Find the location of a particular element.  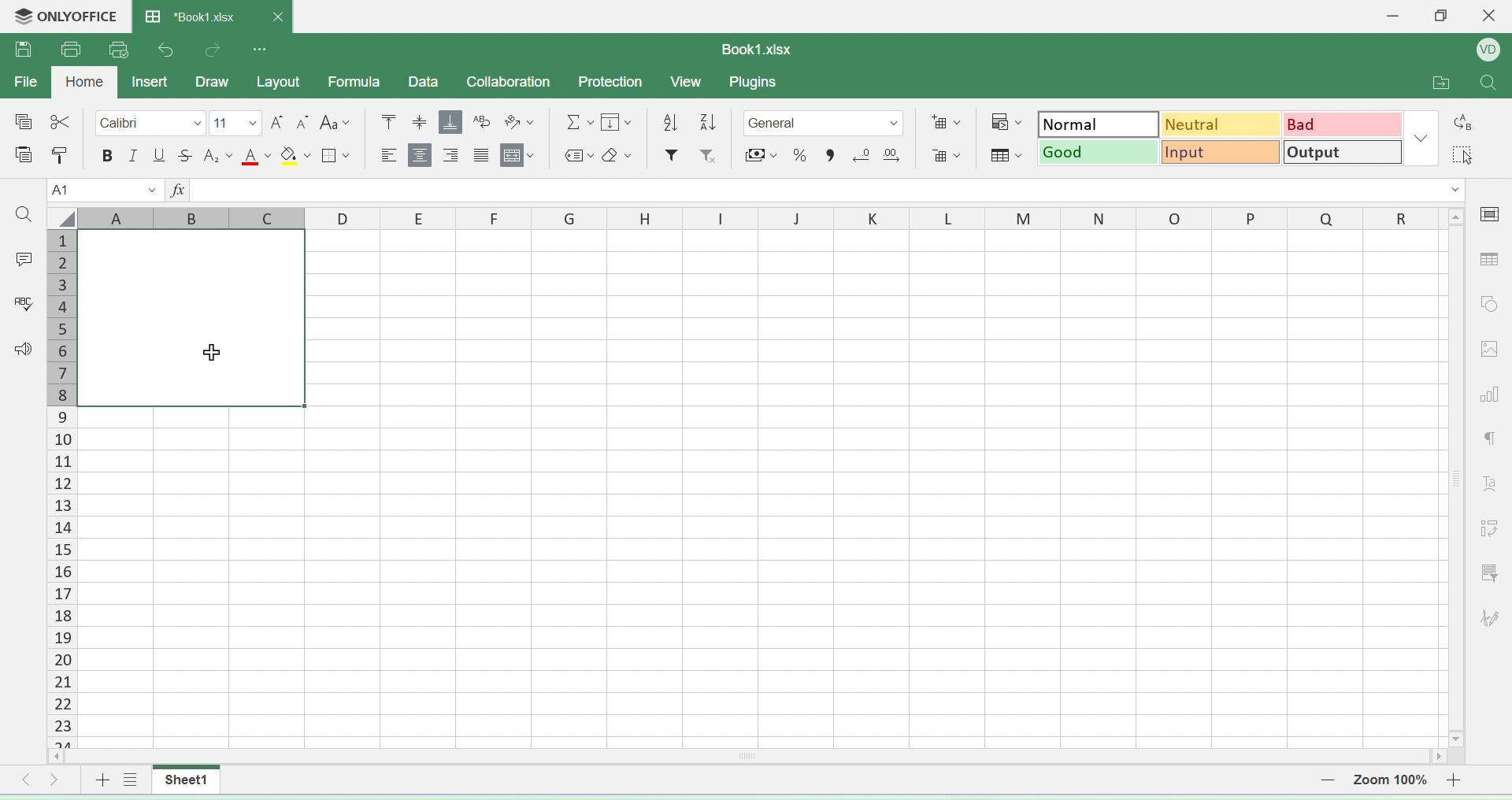

zoom in is located at coordinates (1453, 780).